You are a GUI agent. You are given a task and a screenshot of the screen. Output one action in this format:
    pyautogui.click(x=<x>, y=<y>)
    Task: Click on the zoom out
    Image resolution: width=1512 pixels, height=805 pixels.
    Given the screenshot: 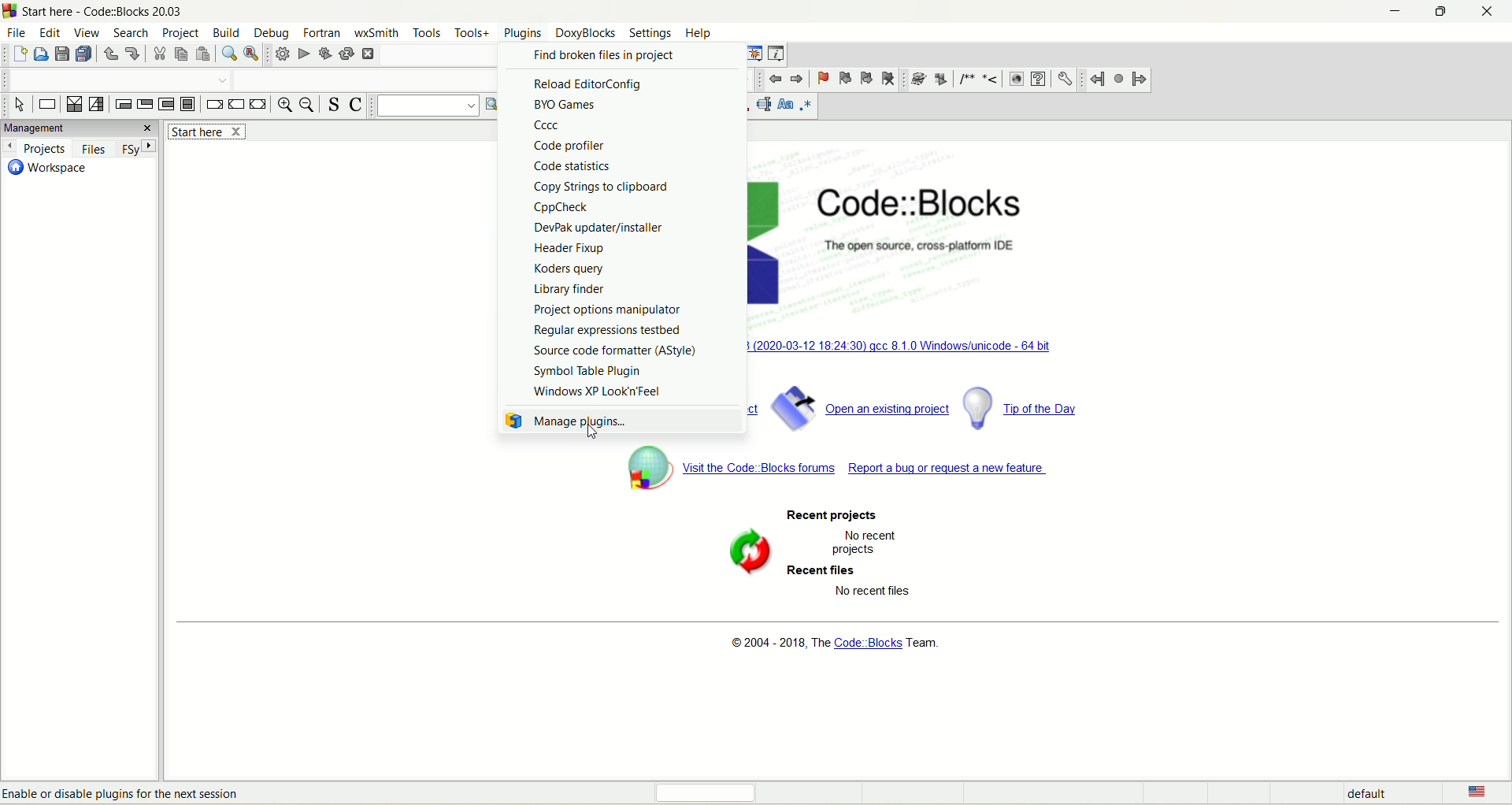 What is the action you would take?
    pyautogui.click(x=307, y=106)
    